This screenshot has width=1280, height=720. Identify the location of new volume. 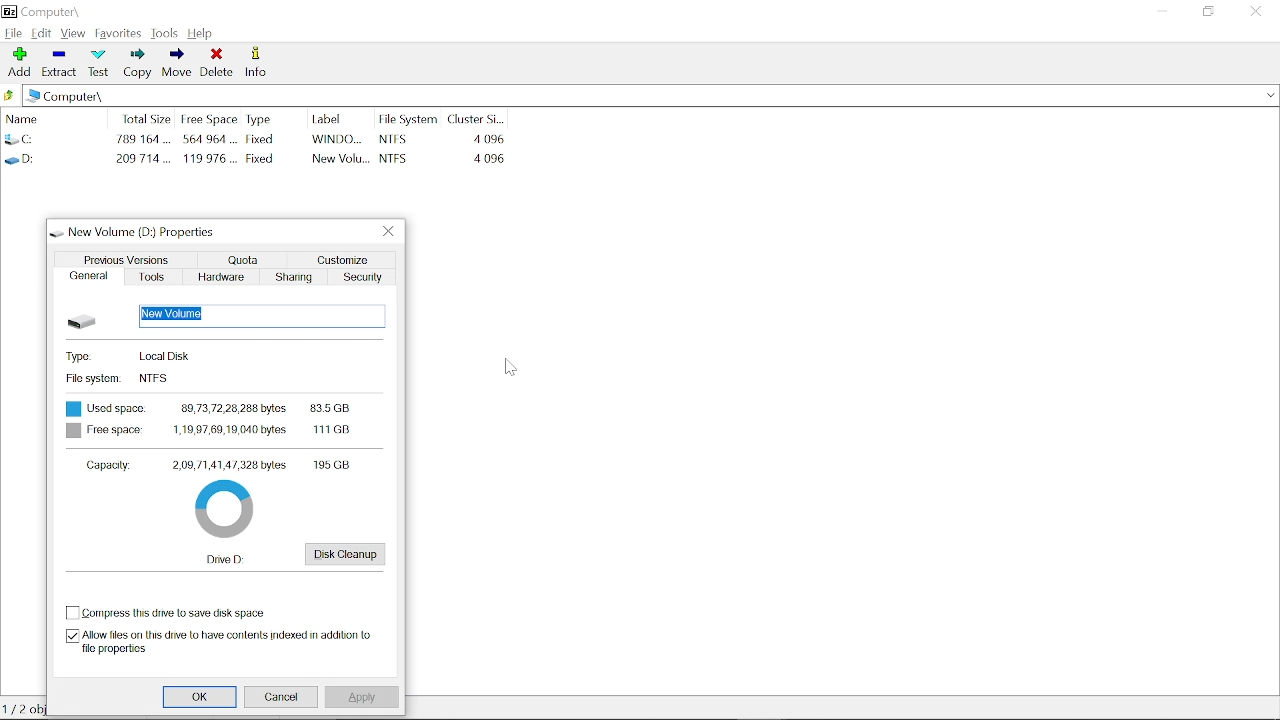
(261, 317).